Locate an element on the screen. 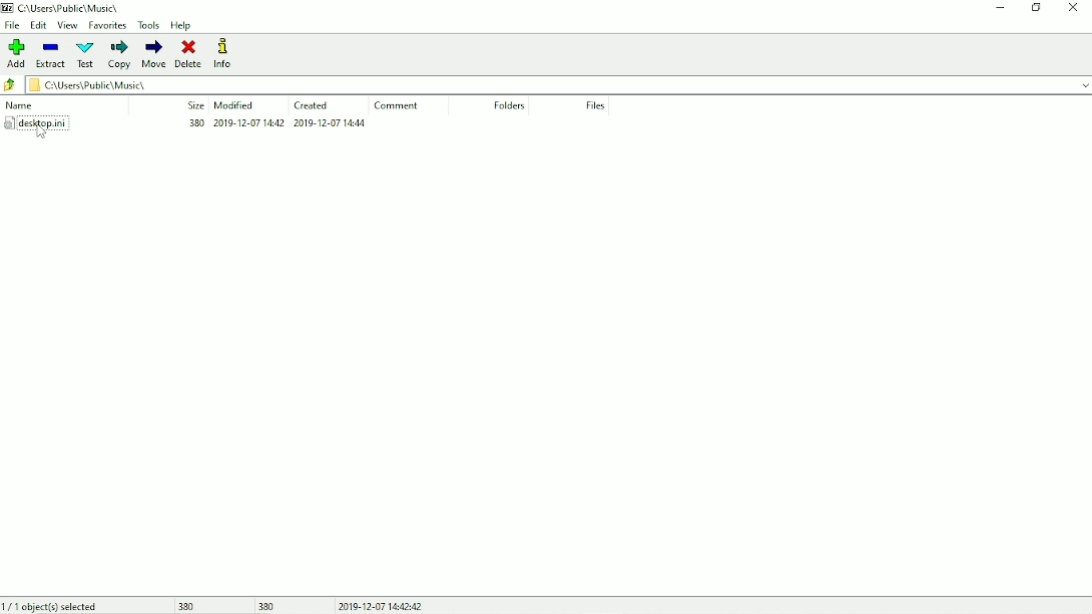 The width and height of the screenshot is (1092, 614). Comment is located at coordinates (398, 106).